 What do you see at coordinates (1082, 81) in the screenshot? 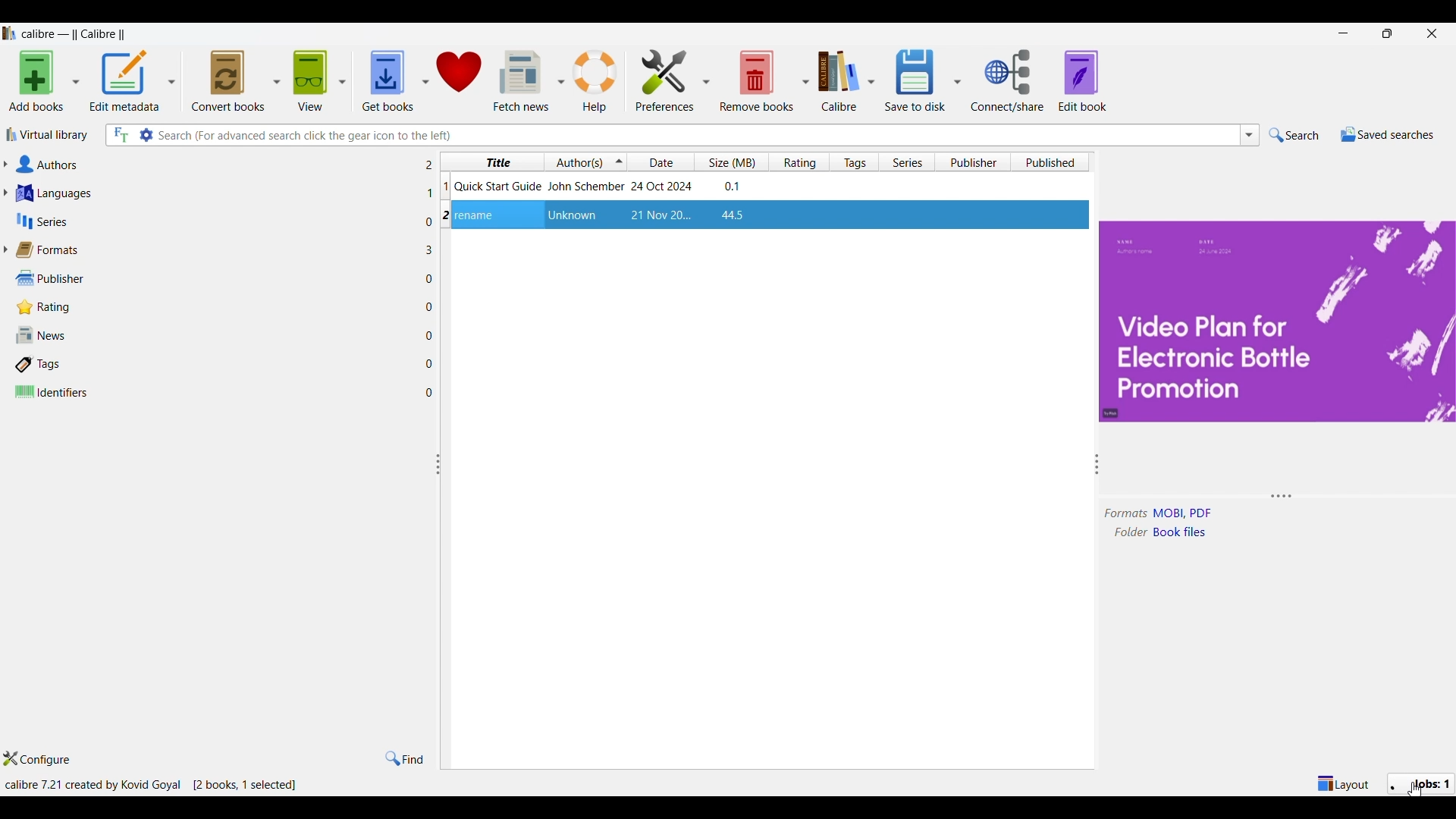
I see `Edit book` at bounding box center [1082, 81].